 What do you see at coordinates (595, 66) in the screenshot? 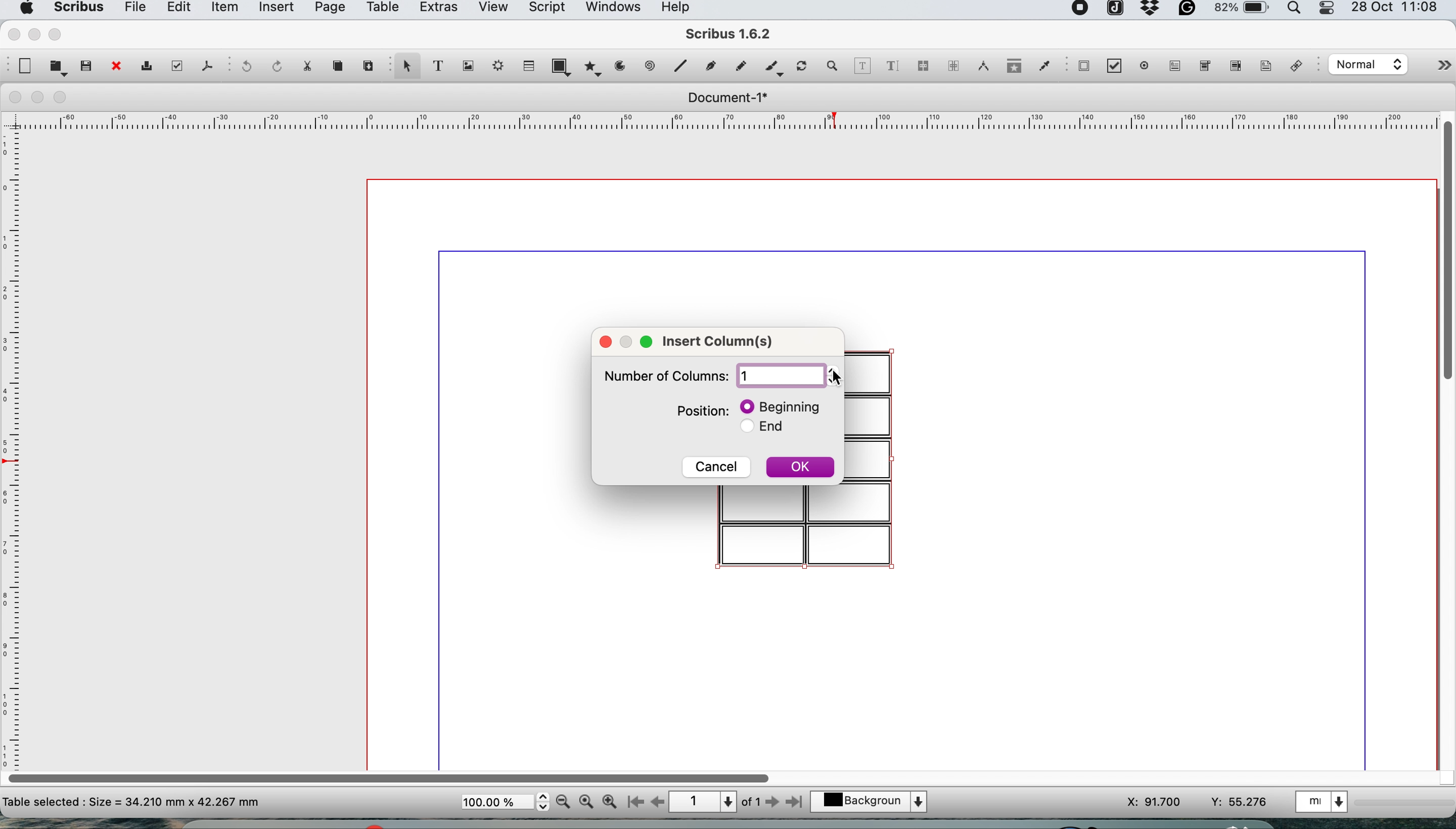
I see `polygon` at bounding box center [595, 66].